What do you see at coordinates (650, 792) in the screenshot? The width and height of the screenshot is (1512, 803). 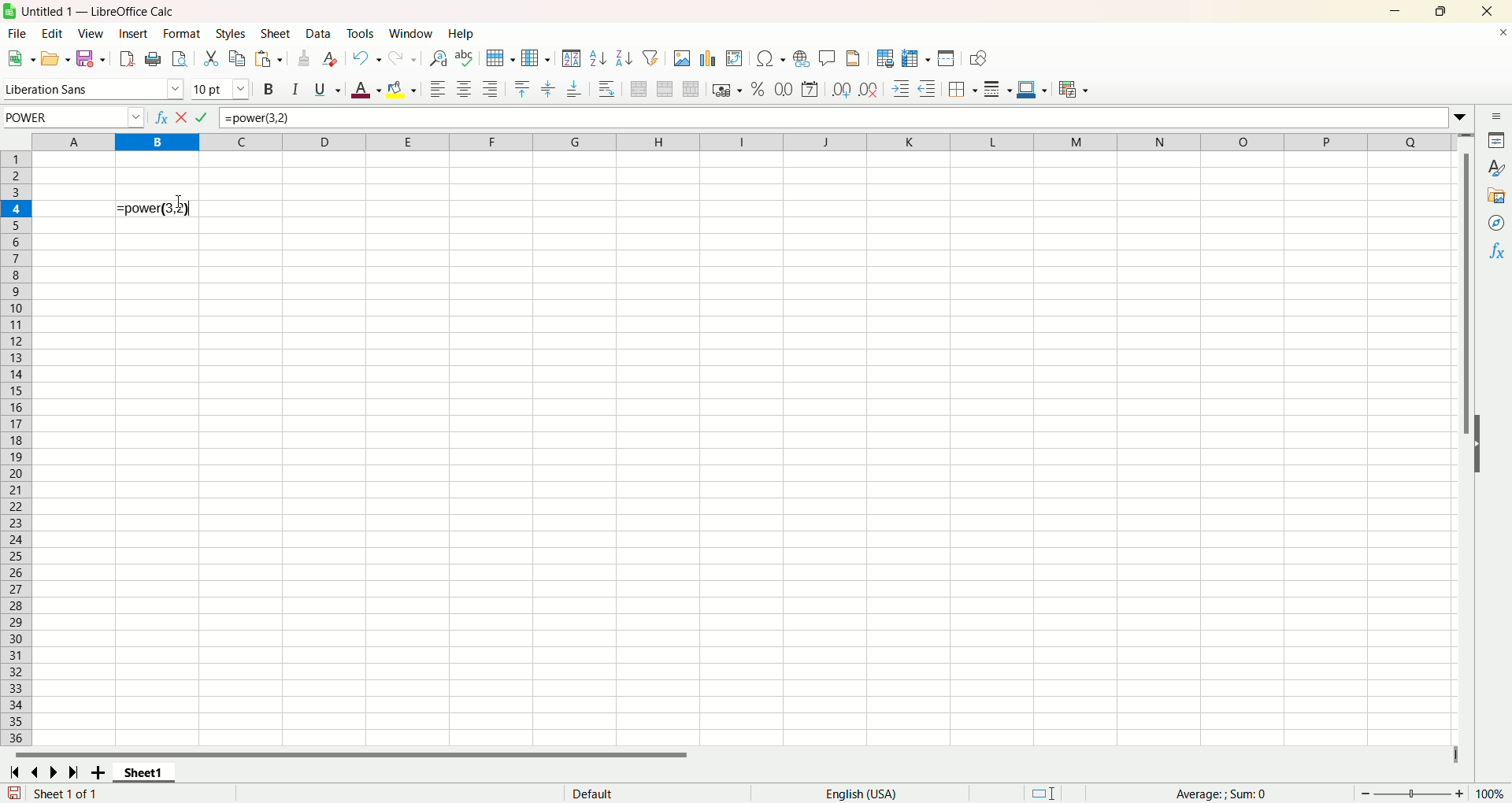 I see `Default` at bounding box center [650, 792].